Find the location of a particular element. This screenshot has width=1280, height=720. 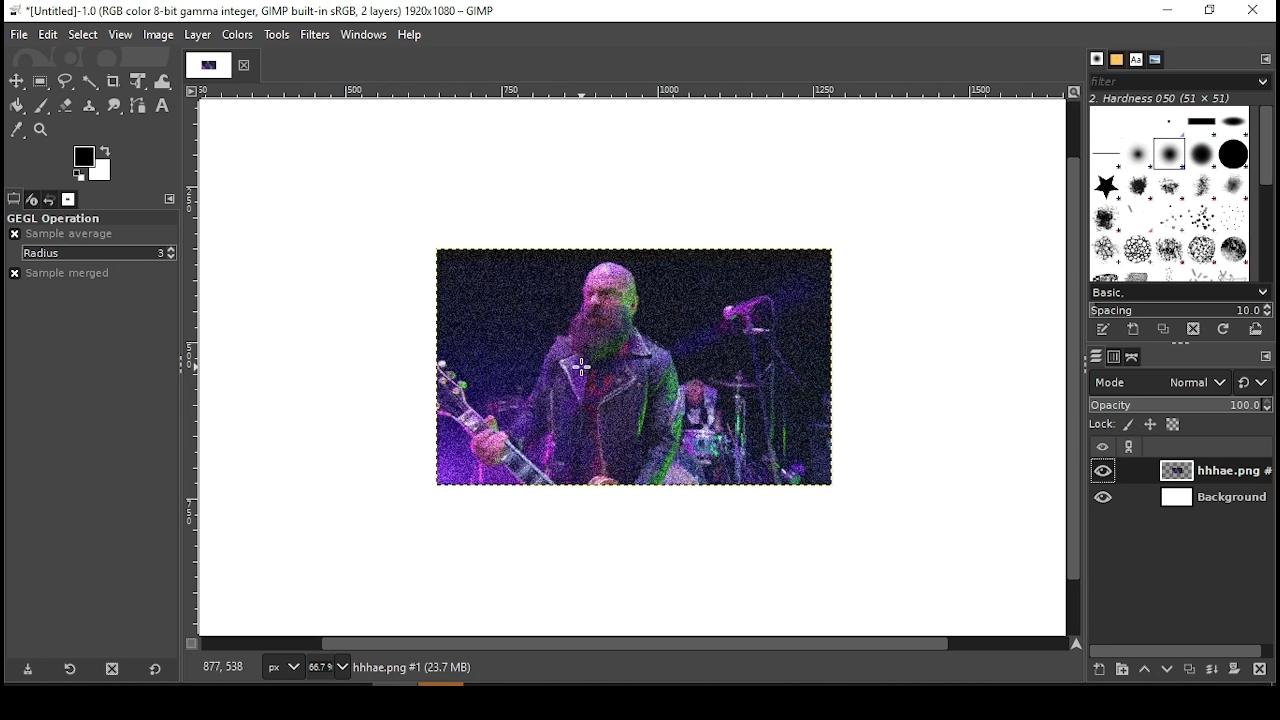

create a new brush is located at coordinates (1137, 331).